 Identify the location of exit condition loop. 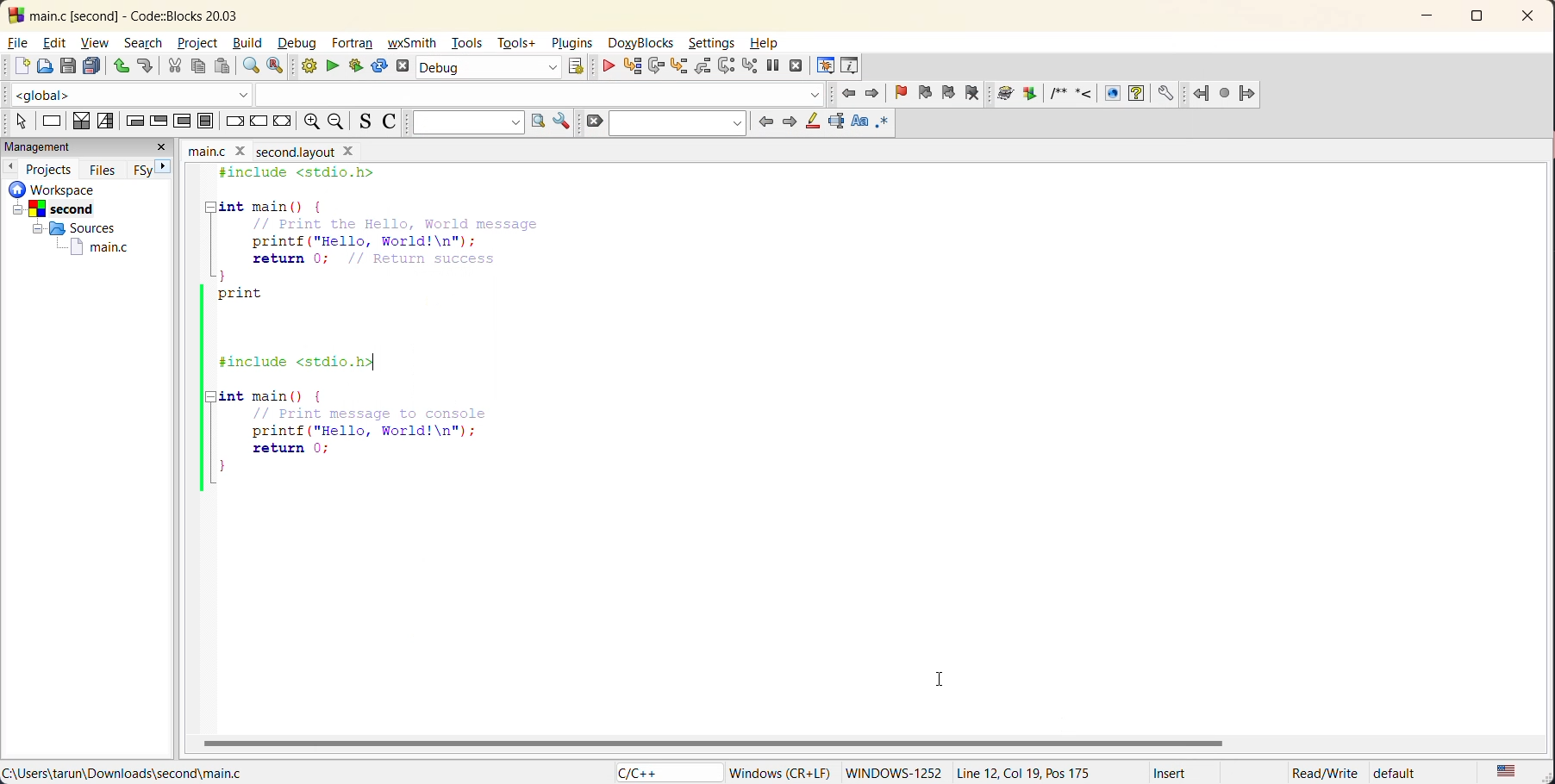
(158, 120).